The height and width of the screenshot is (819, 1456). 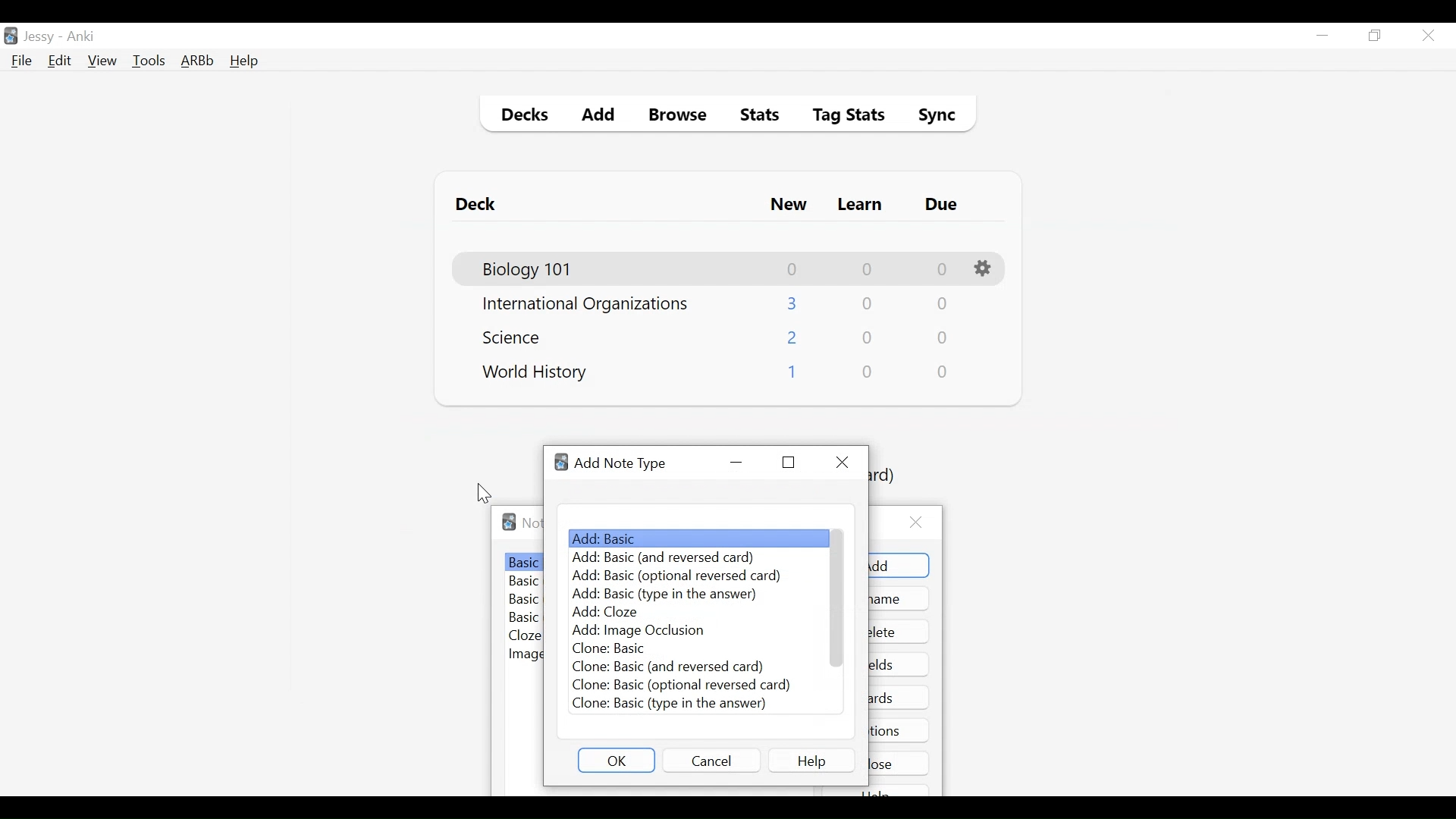 What do you see at coordinates (562, 463) in the screenshot?
I see `Software logo` at bounding box center [562, 463].